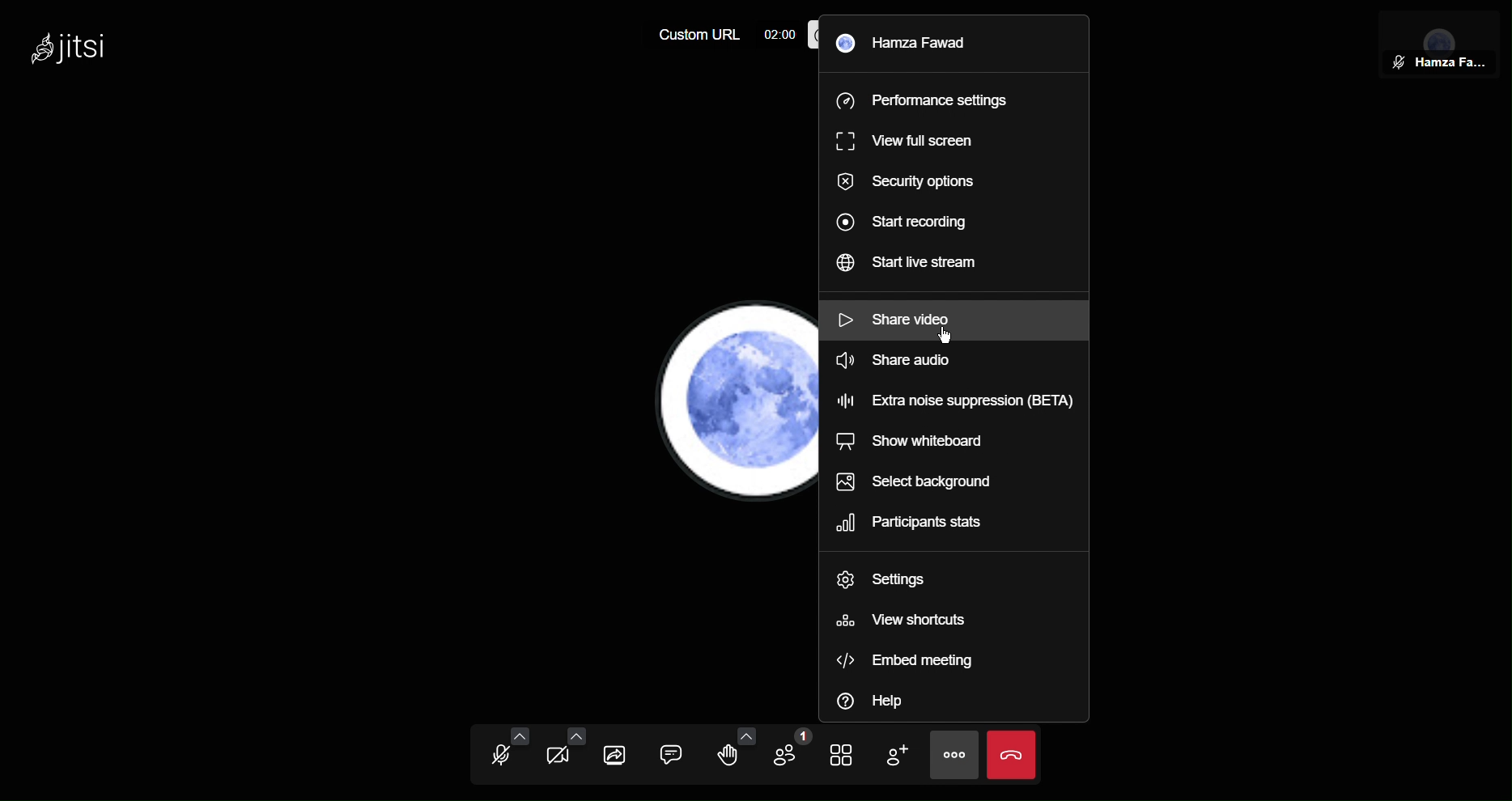 The width and height of the screenshot is (1512, 801). I want to click on cursor, so click(949, 337).